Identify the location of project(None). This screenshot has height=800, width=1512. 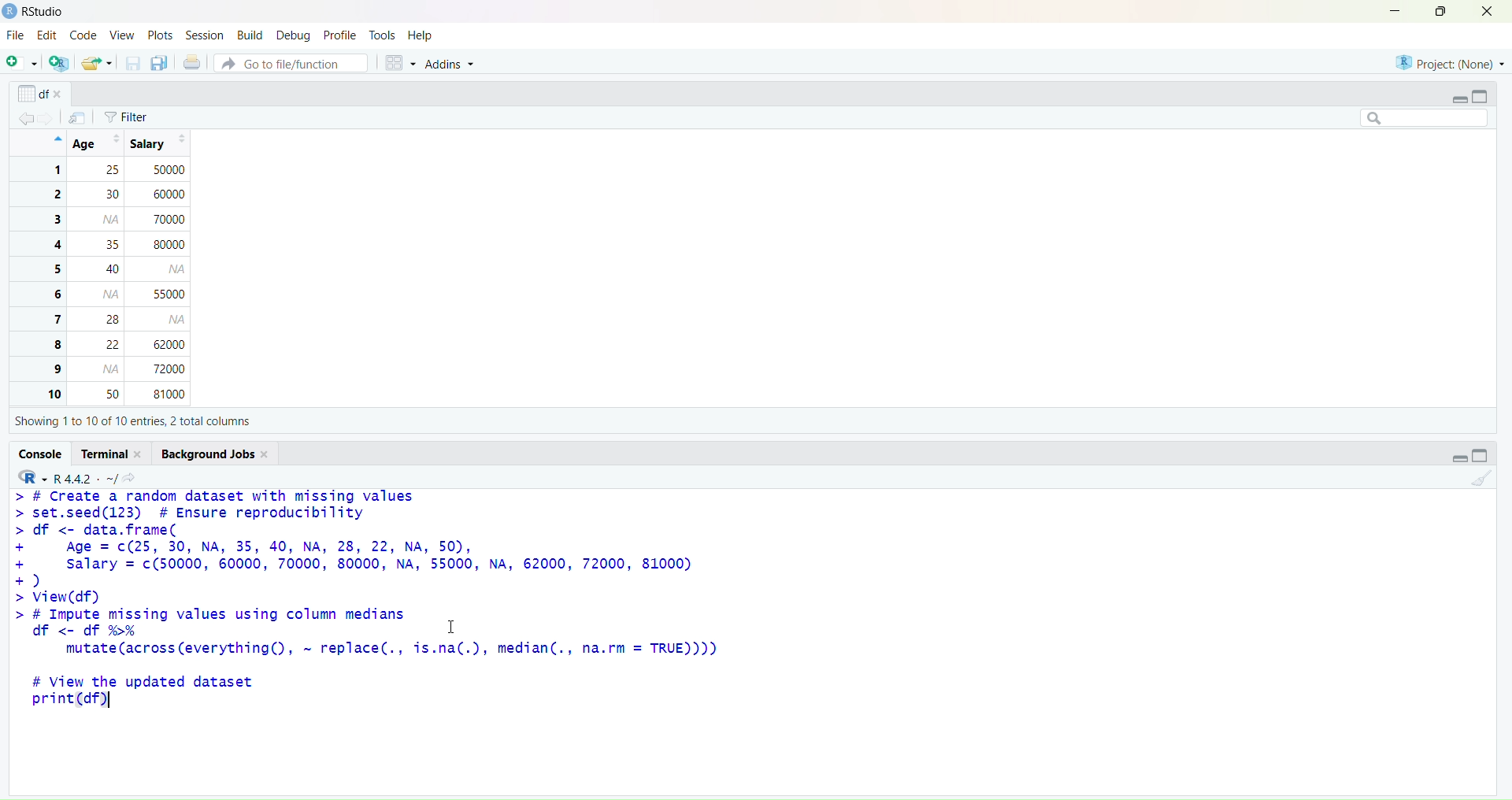
(1449, 61).